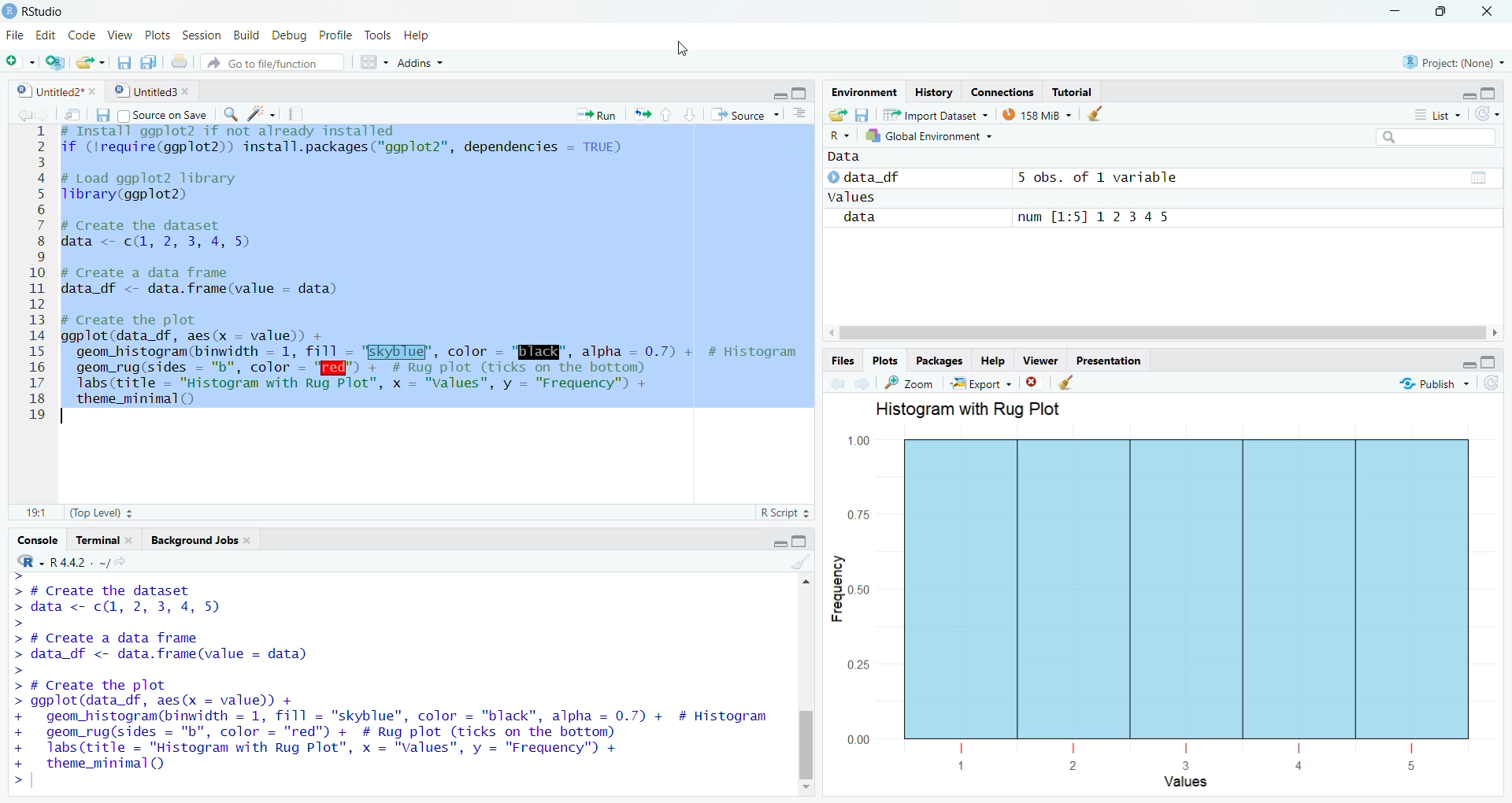  What do you see at coordinates (42, 34) in the screenshot?
I see `Edit` at bounding box center [42, 34].